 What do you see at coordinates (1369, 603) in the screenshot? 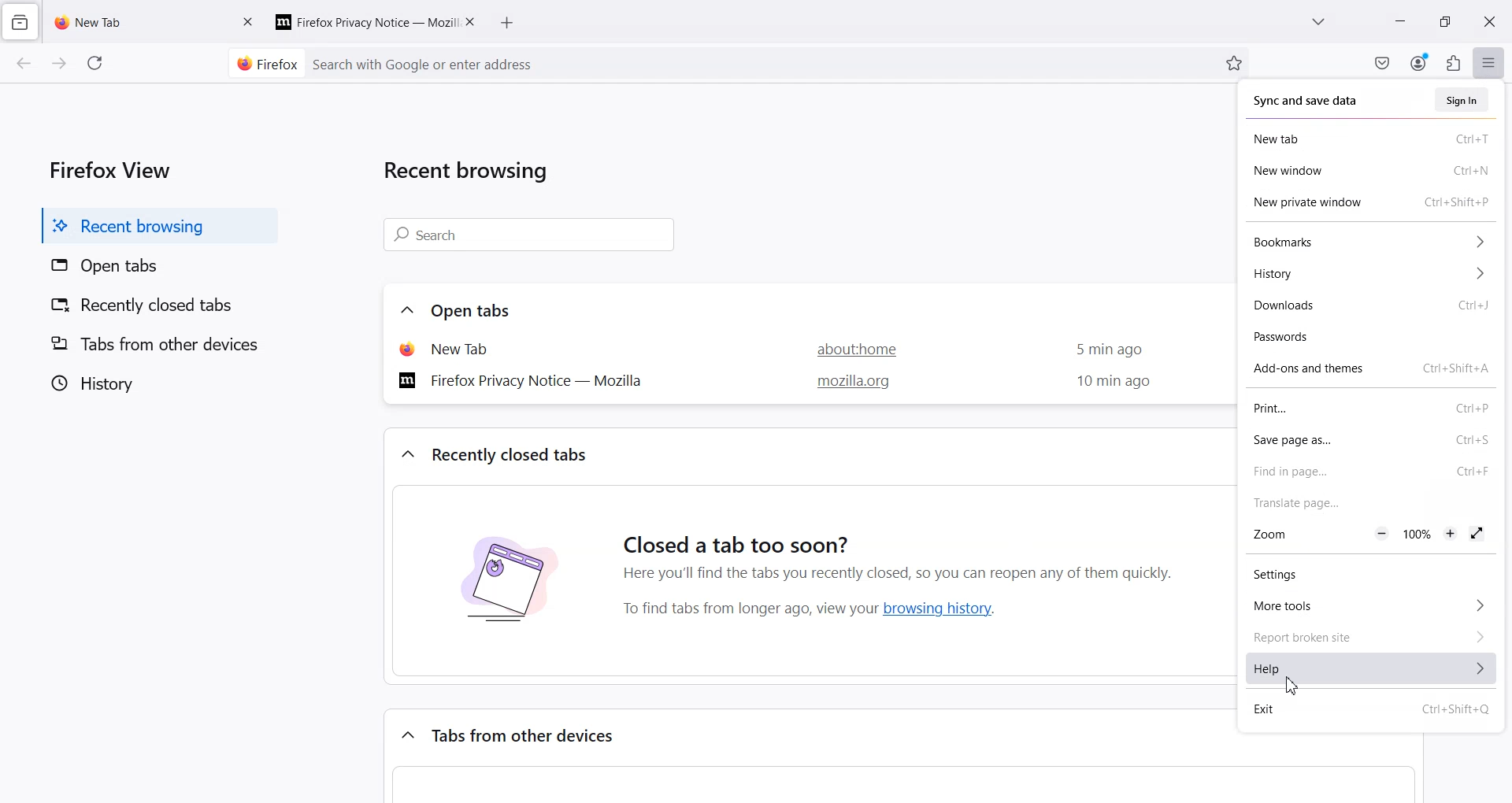
I see `More tool` at bounding box center [1369, 603].